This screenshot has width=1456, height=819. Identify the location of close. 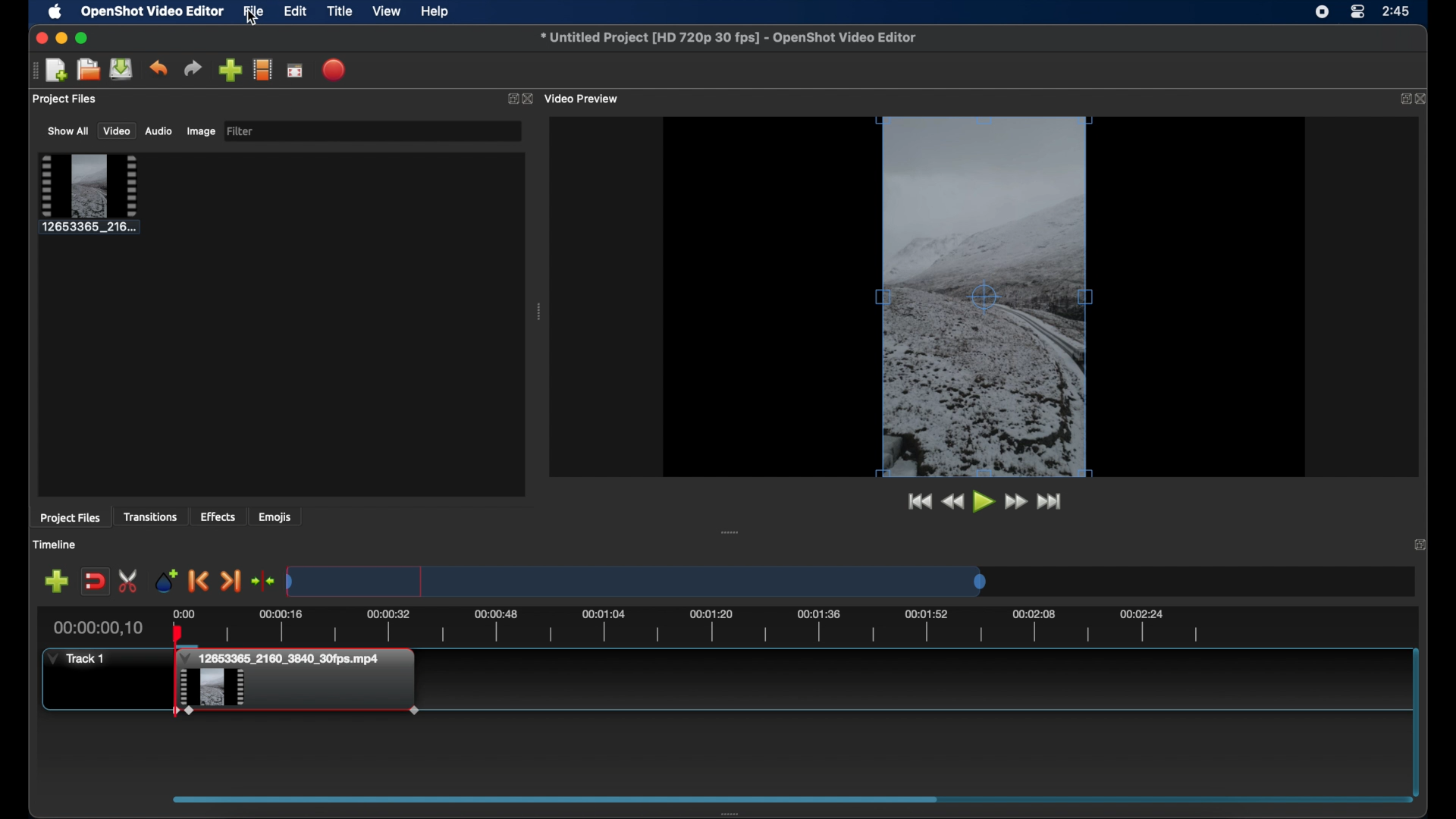
(528, 99).